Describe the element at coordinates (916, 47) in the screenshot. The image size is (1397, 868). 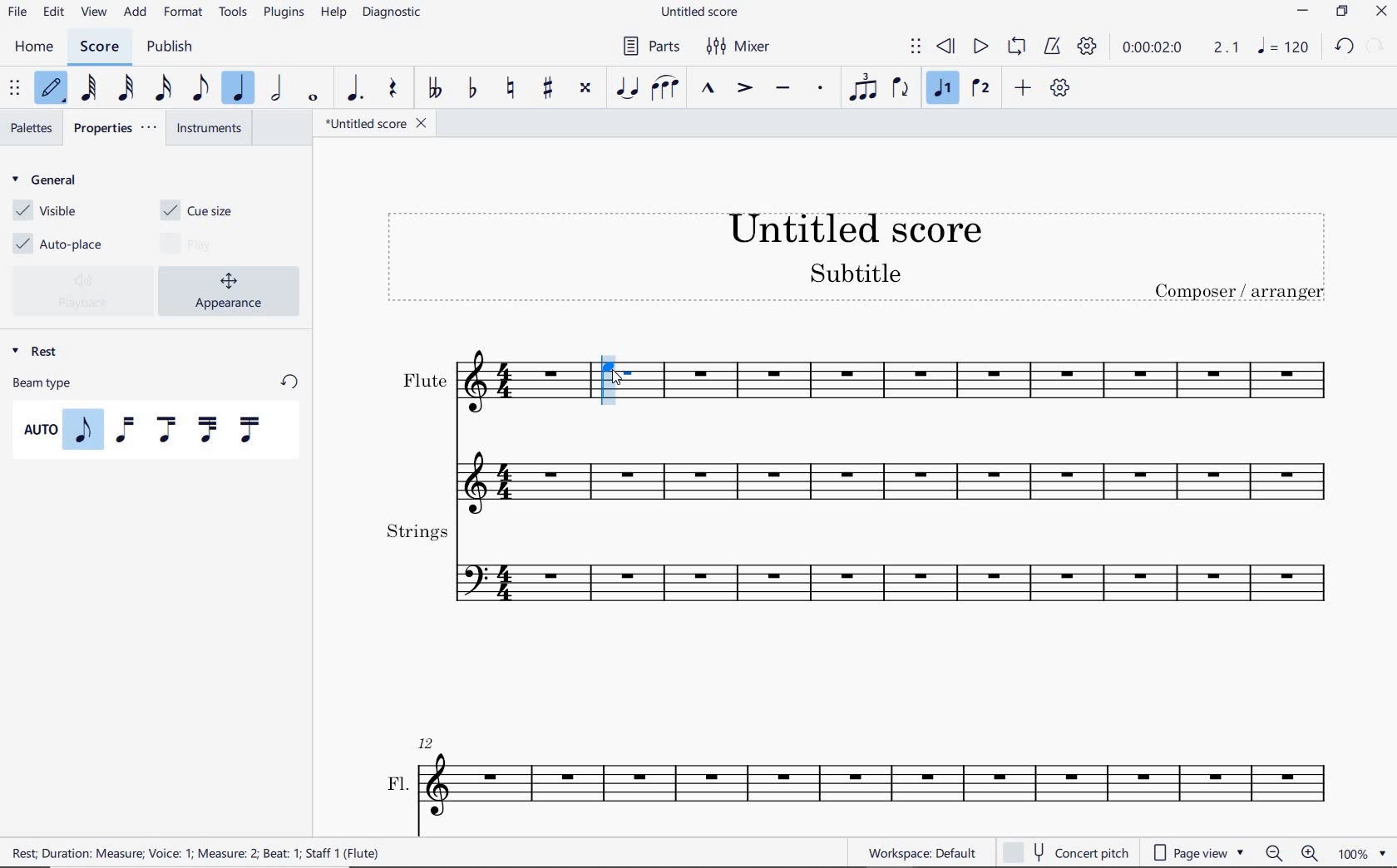
I see `SELECT TO MOVE` at that location.